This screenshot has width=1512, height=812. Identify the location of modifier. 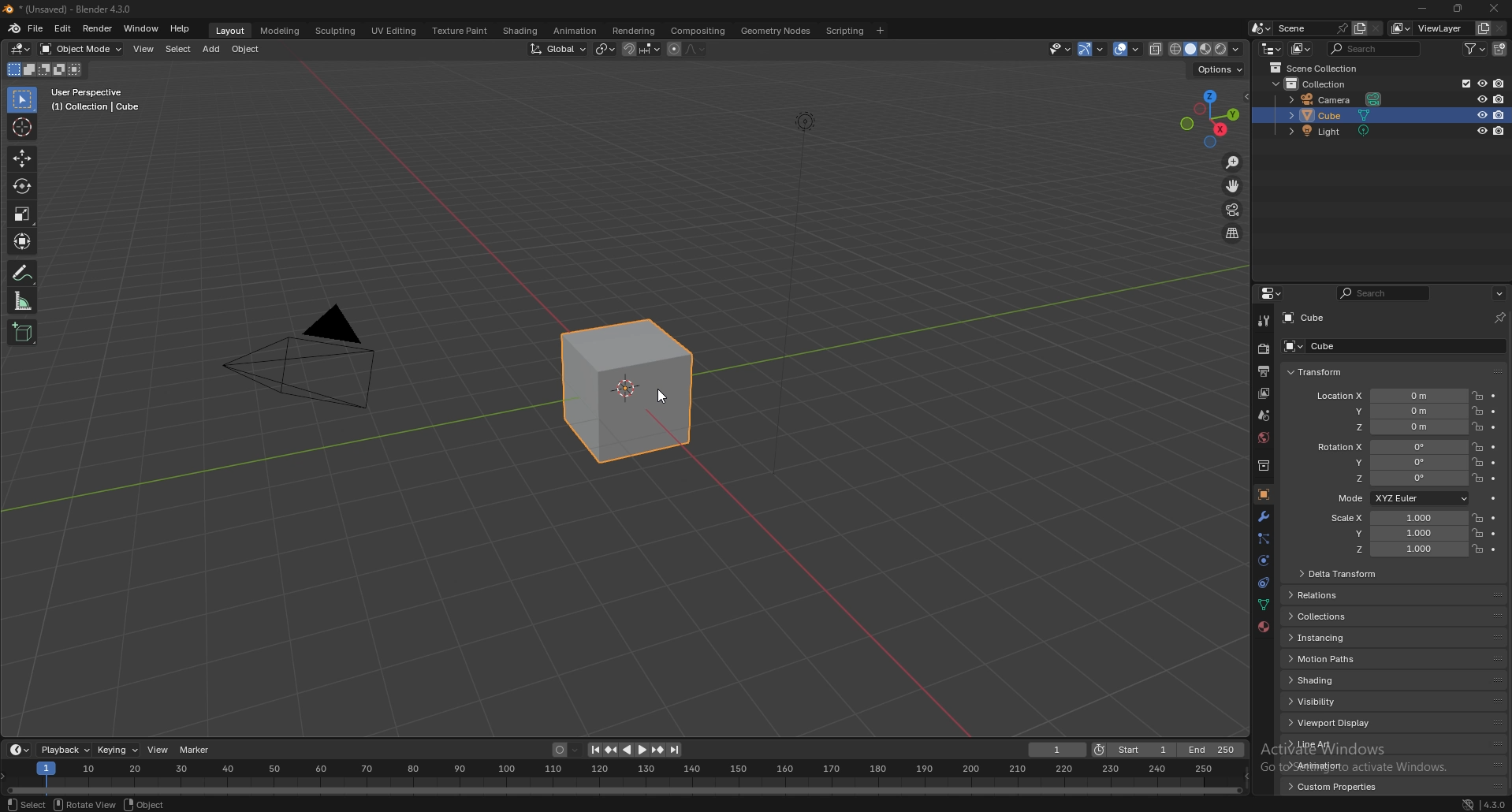
(1264, 517).